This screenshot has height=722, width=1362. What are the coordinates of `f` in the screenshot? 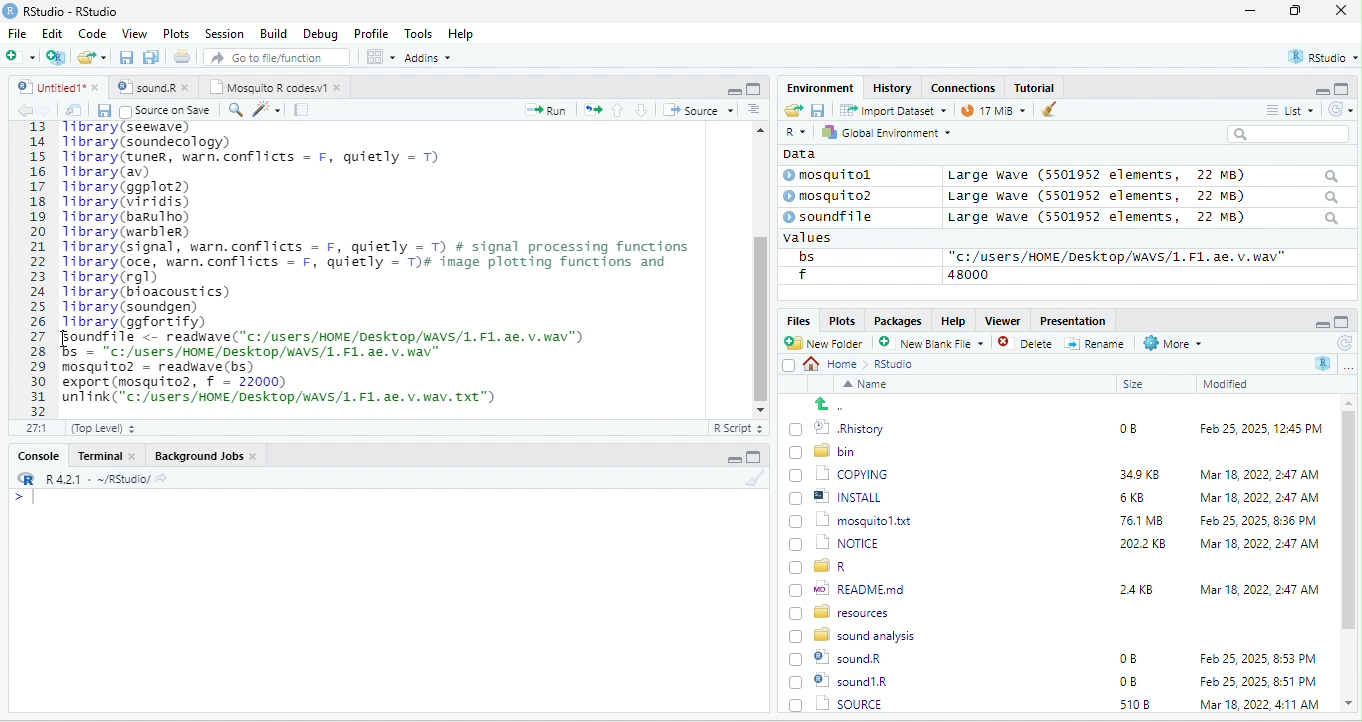 It's located at (802, 275).